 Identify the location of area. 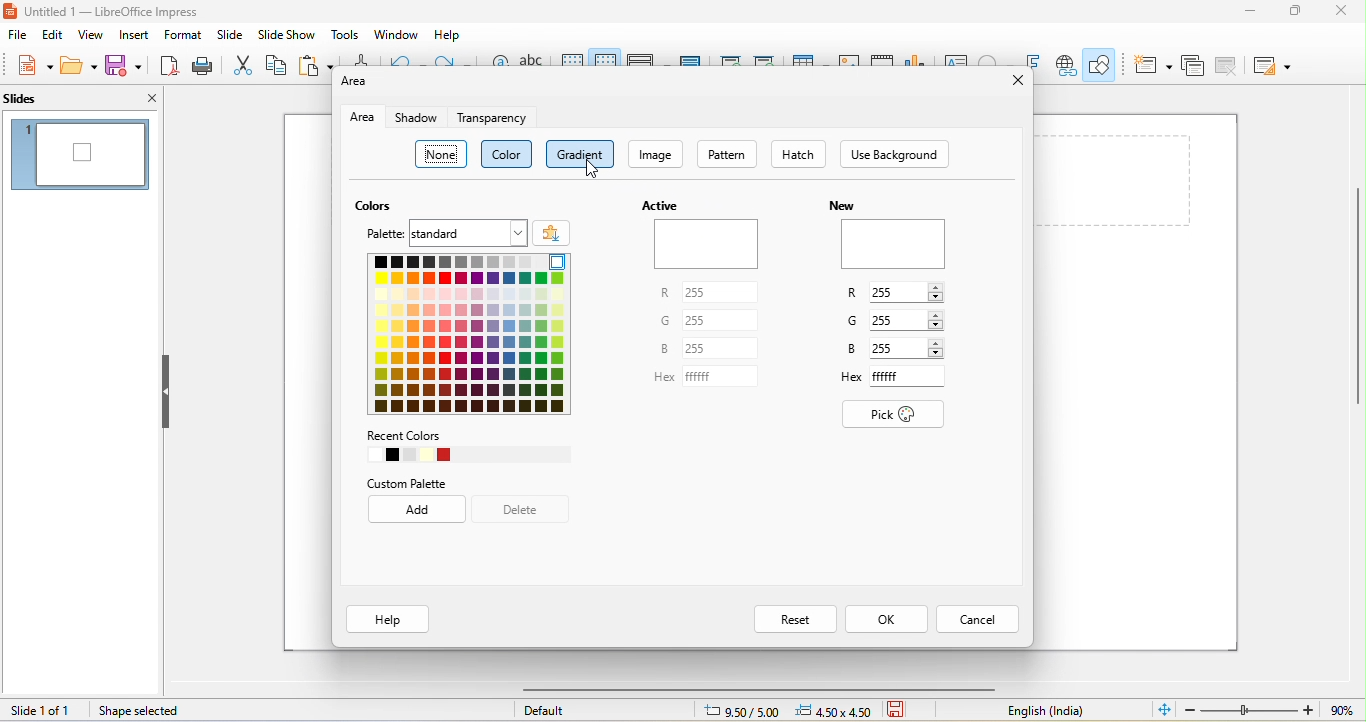
(365, 118).